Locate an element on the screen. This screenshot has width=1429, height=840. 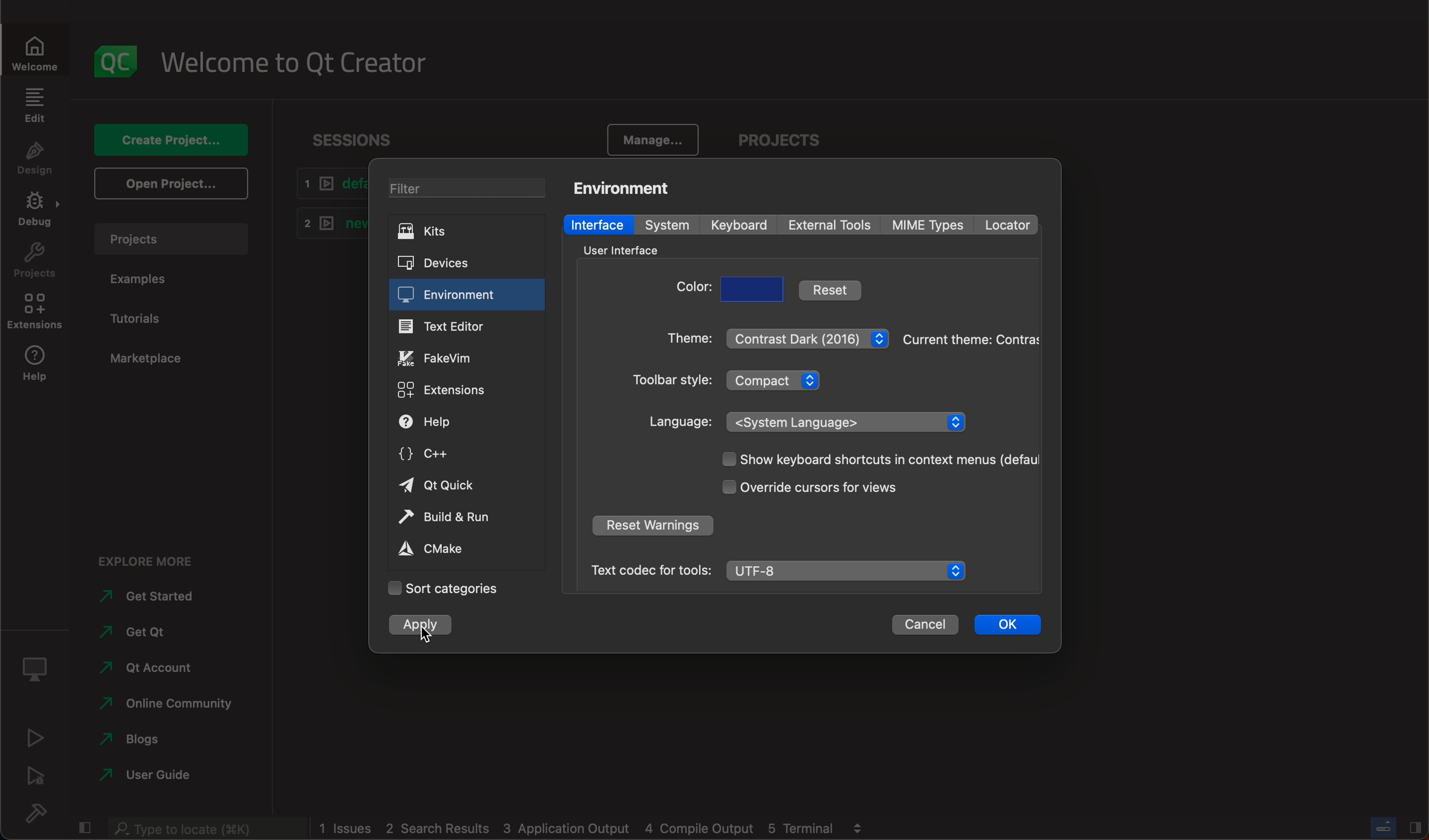
C++ is located at coordinates (462, 452).